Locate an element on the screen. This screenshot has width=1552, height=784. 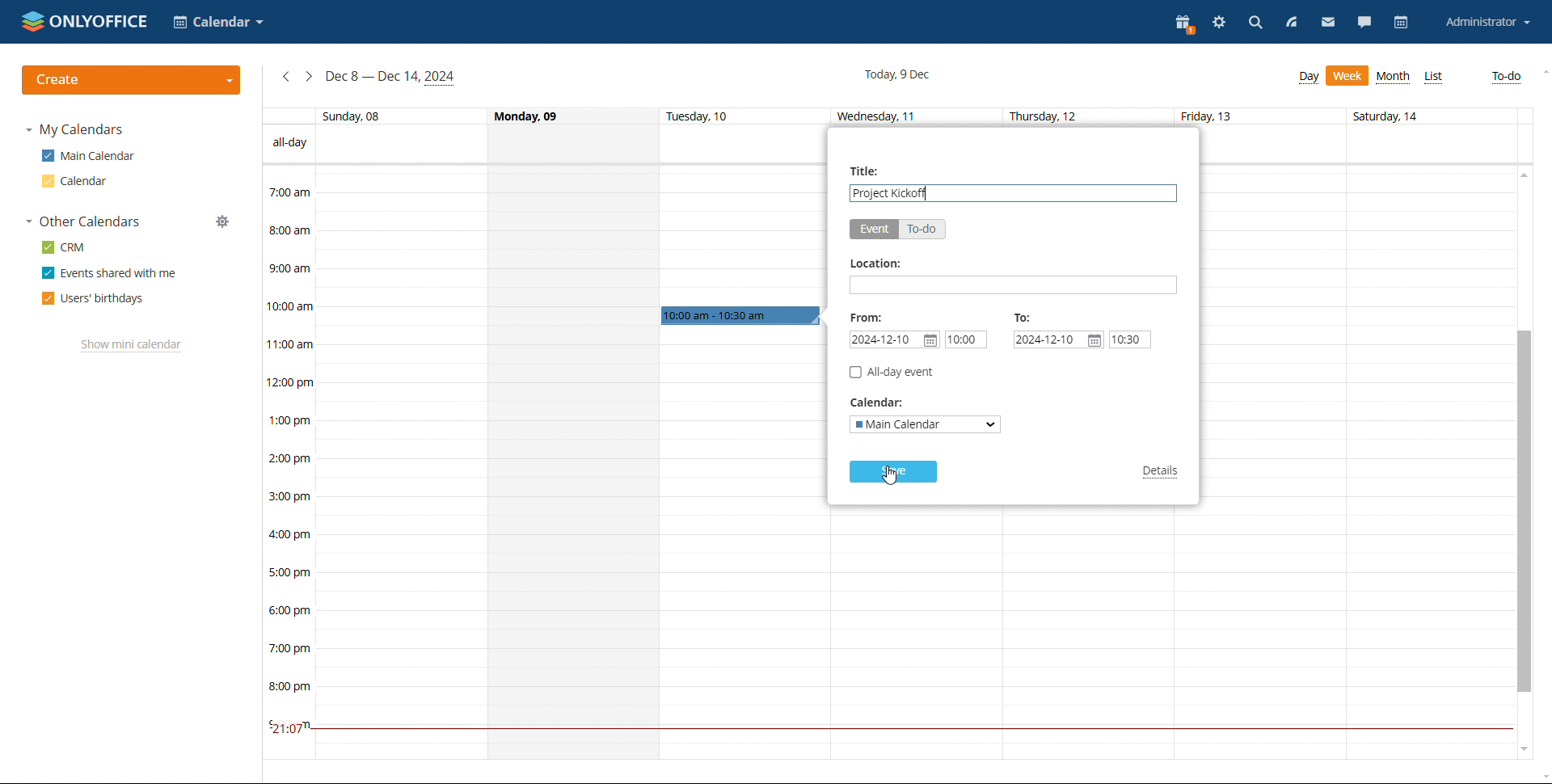
other calendars is located at coordinates (82, 222).